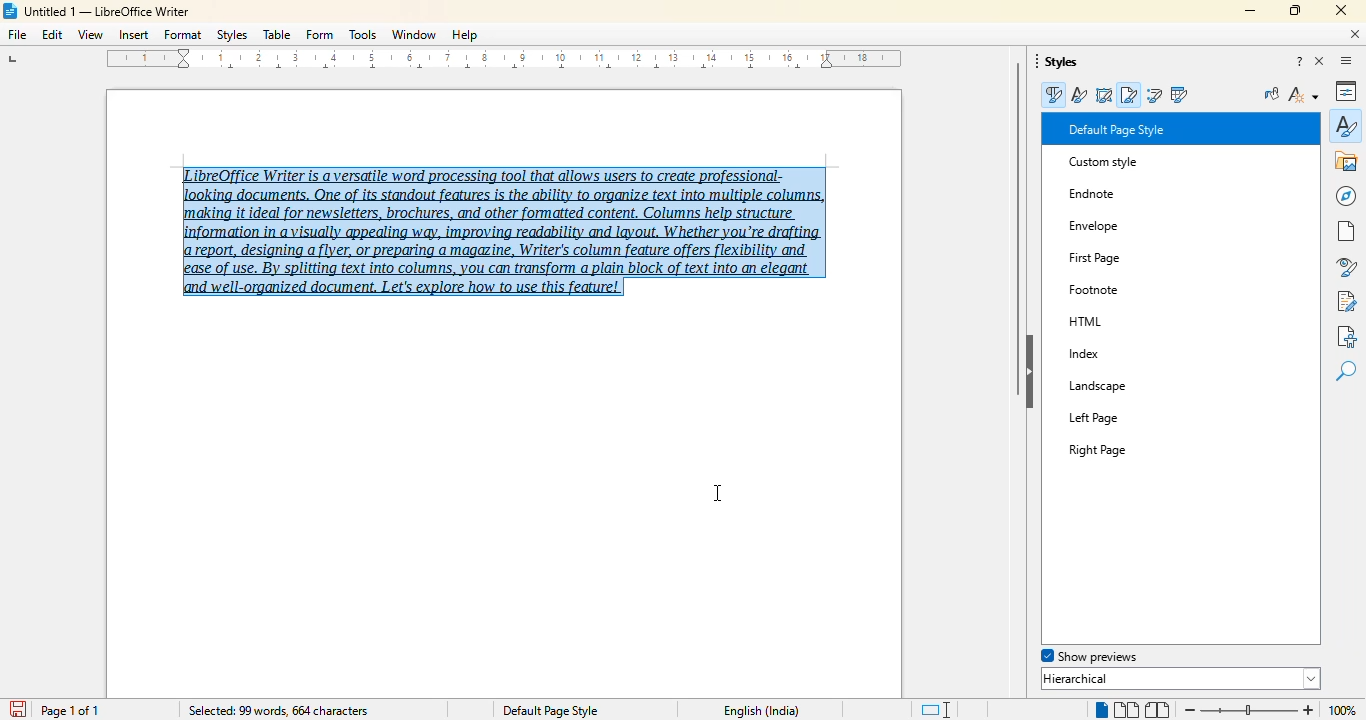 The image size is (1366, 720). What do you see at coordinates (1128, 413) in the screenshot?
I see `Right Page` at bounding box center [1128, 413].